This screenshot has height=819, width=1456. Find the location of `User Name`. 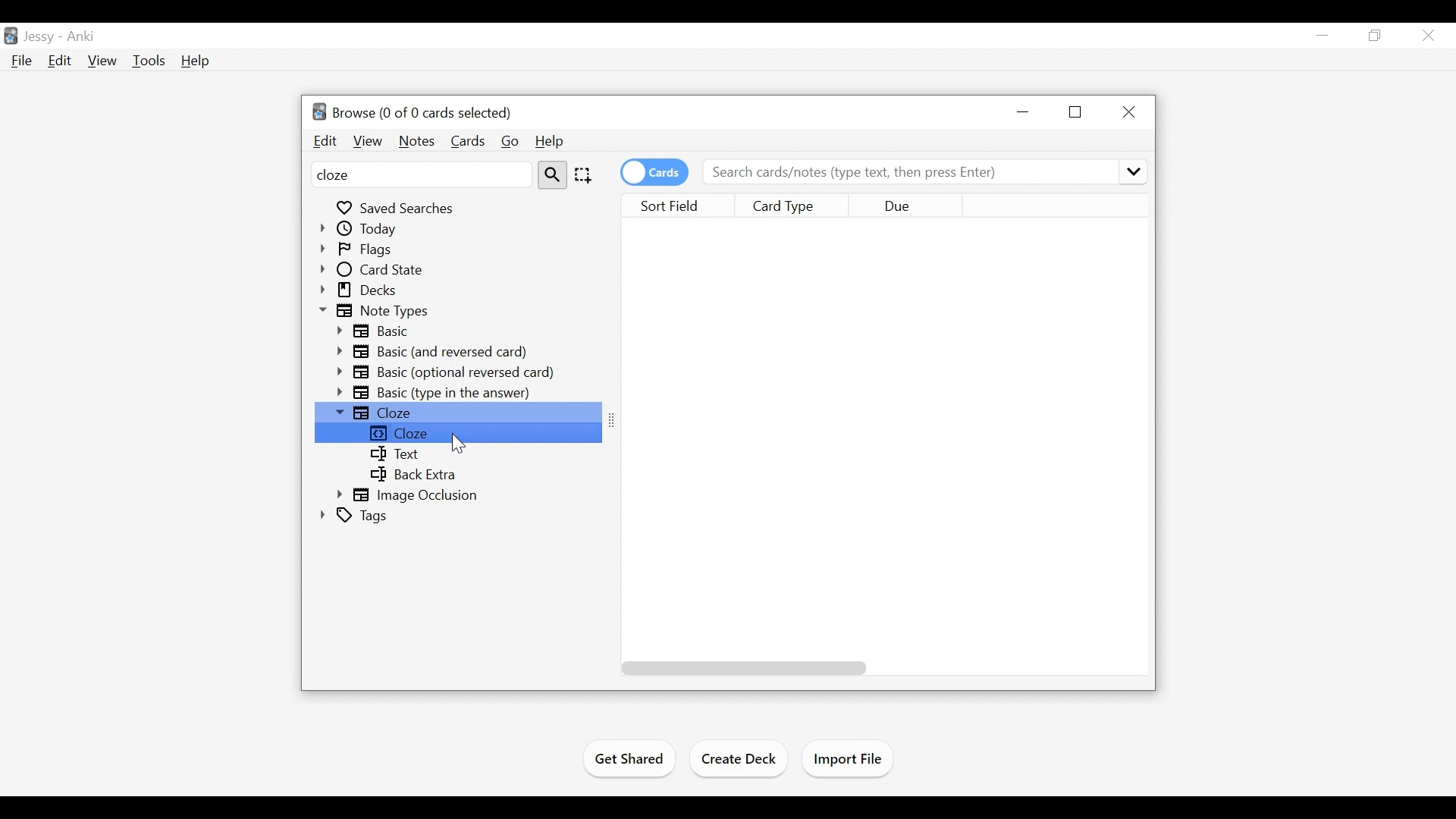

User Name is located at coordinates (39, 37).